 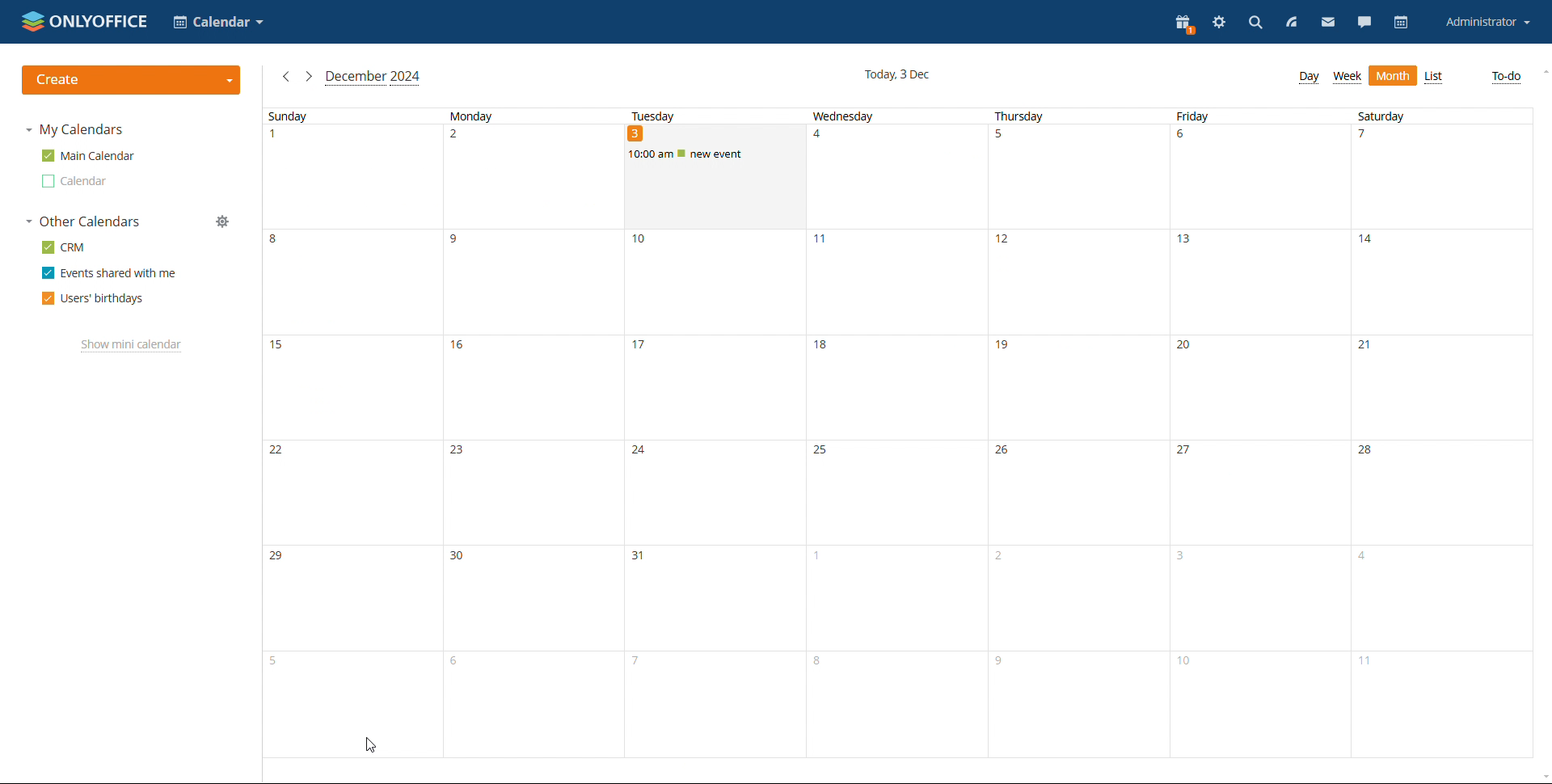 What do you see at coordinates (715, 153) in the screenshot?
I see `scheduled event` at bounding box center [715, 153].